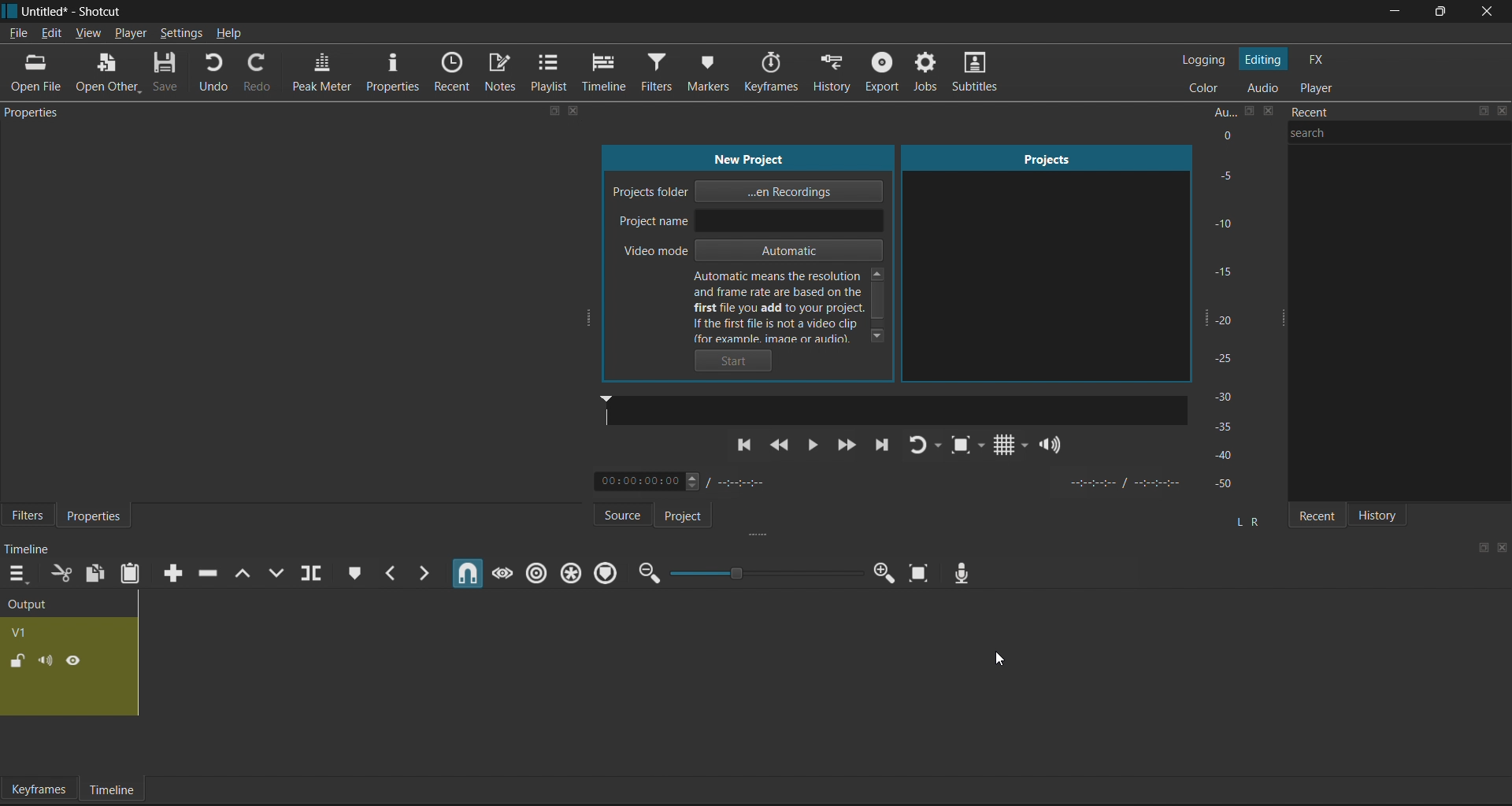  What do you see at coordinates (1436, 13) in the screenshot?
I see `maximize` at bounding box center [1436, 13].